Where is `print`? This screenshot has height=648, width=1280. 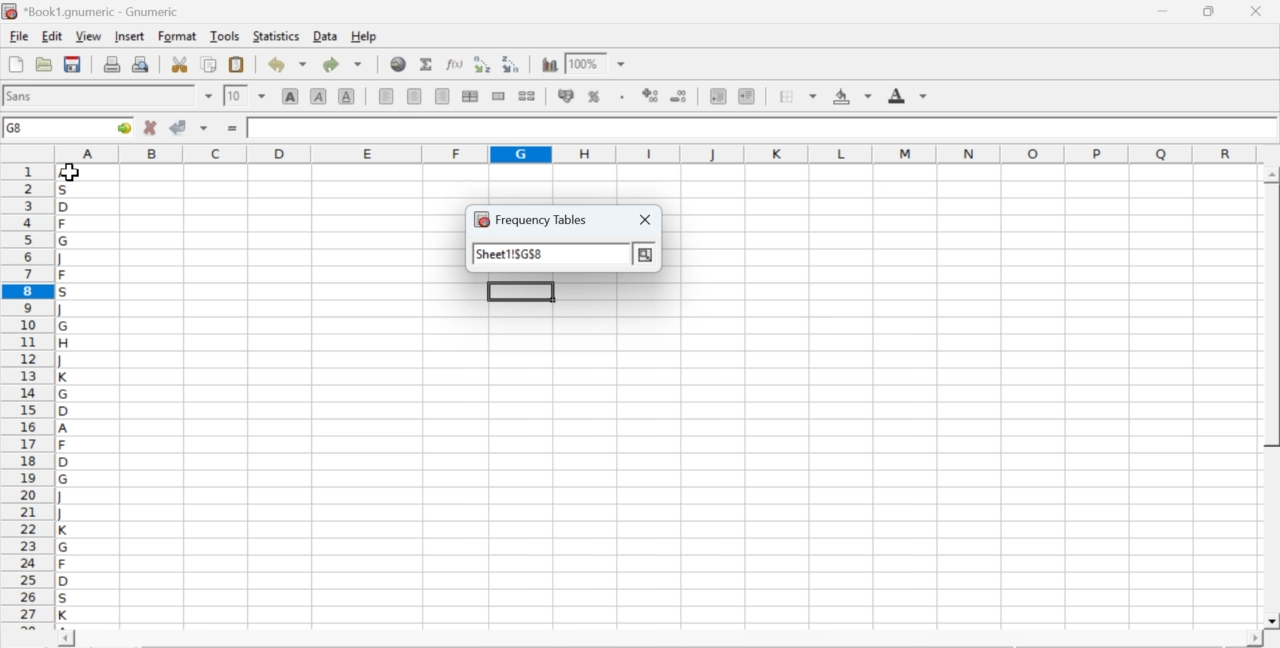 print is located at coordinates (112, 63).